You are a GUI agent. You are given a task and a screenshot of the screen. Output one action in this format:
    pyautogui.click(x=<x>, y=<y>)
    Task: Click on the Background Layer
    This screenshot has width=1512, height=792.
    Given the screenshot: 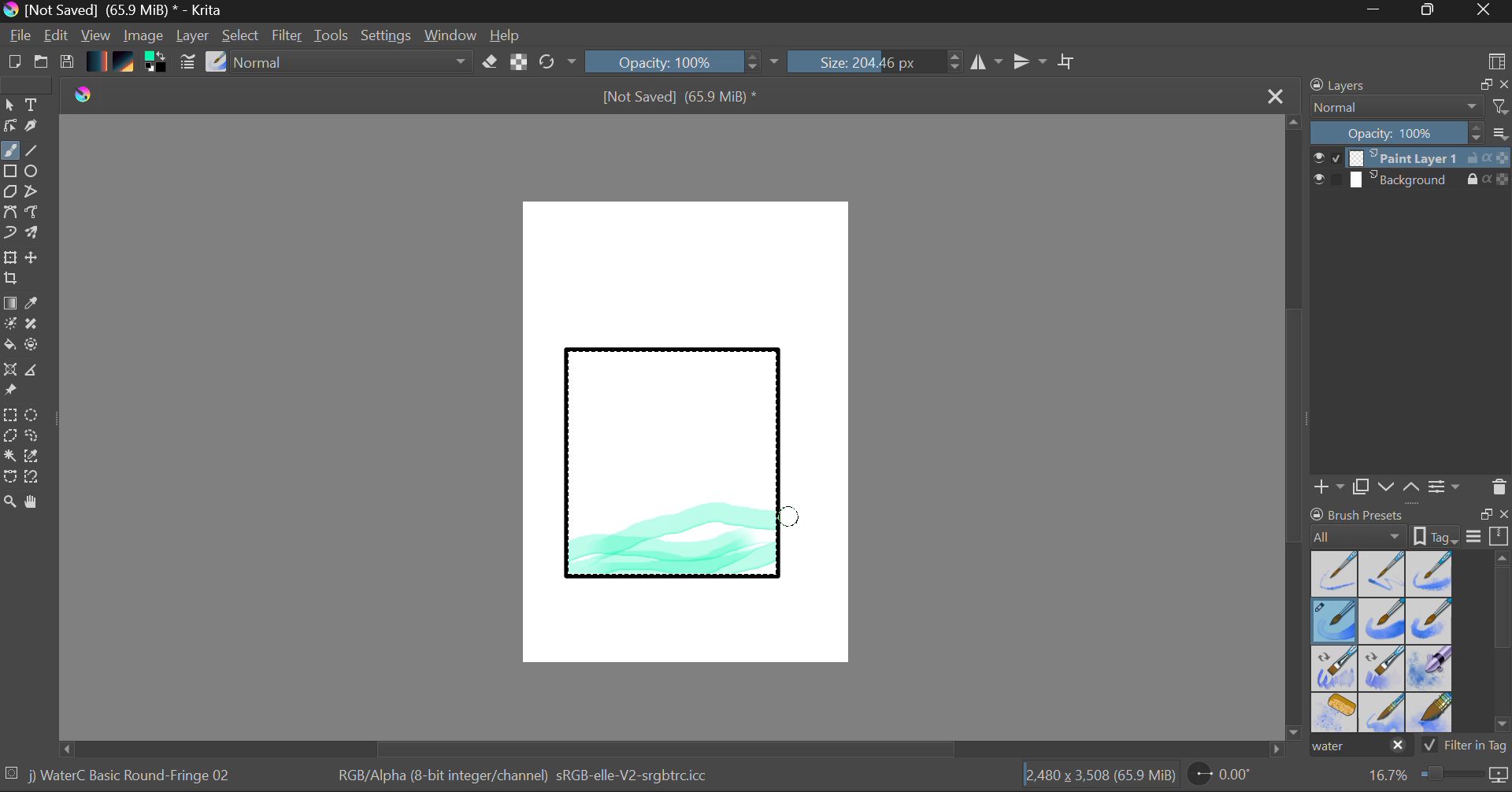 What is the action you would take?
    pyautogui.click(x=1411, y=180)
    